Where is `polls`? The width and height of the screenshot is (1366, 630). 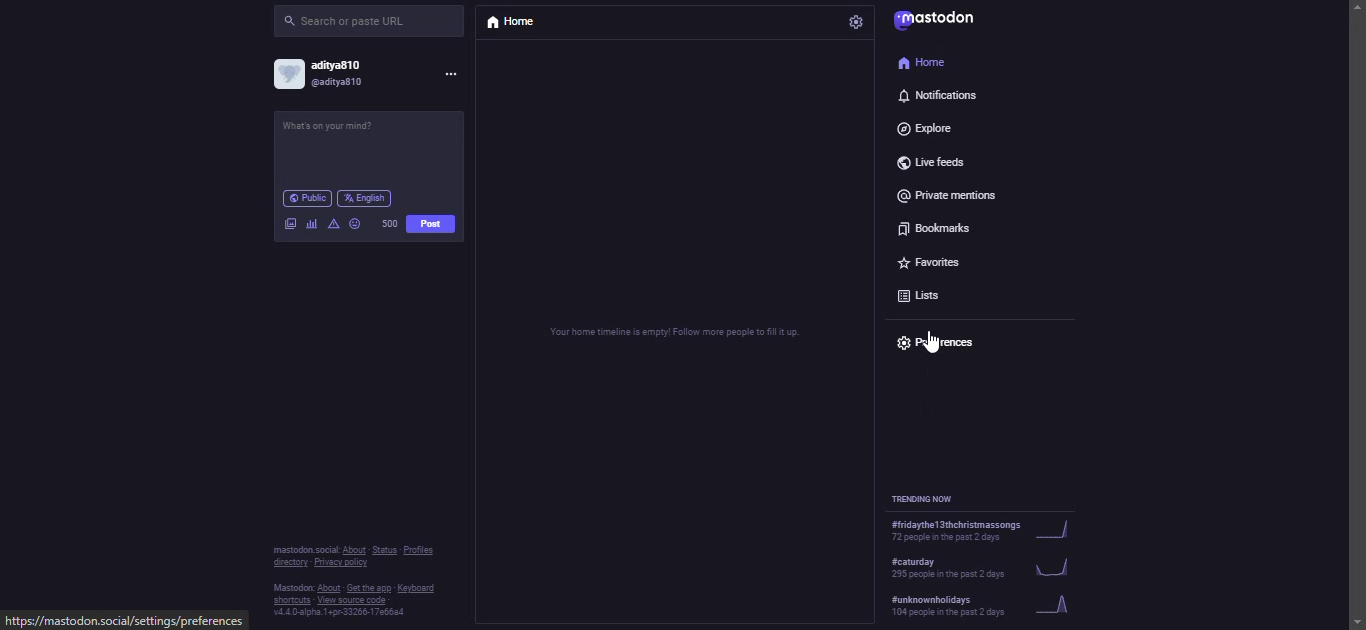 polls is located at coordinates (313, 225).